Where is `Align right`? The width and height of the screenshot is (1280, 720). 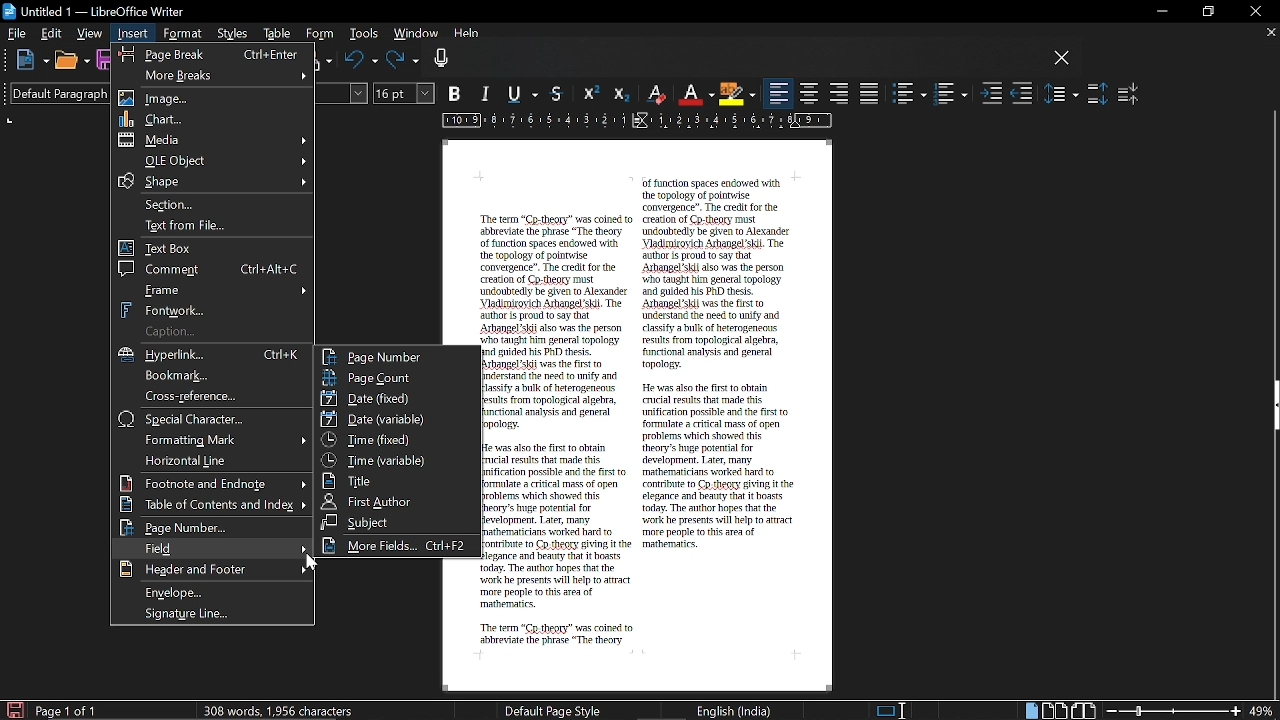 Align right is located at coordinates (840, 92).